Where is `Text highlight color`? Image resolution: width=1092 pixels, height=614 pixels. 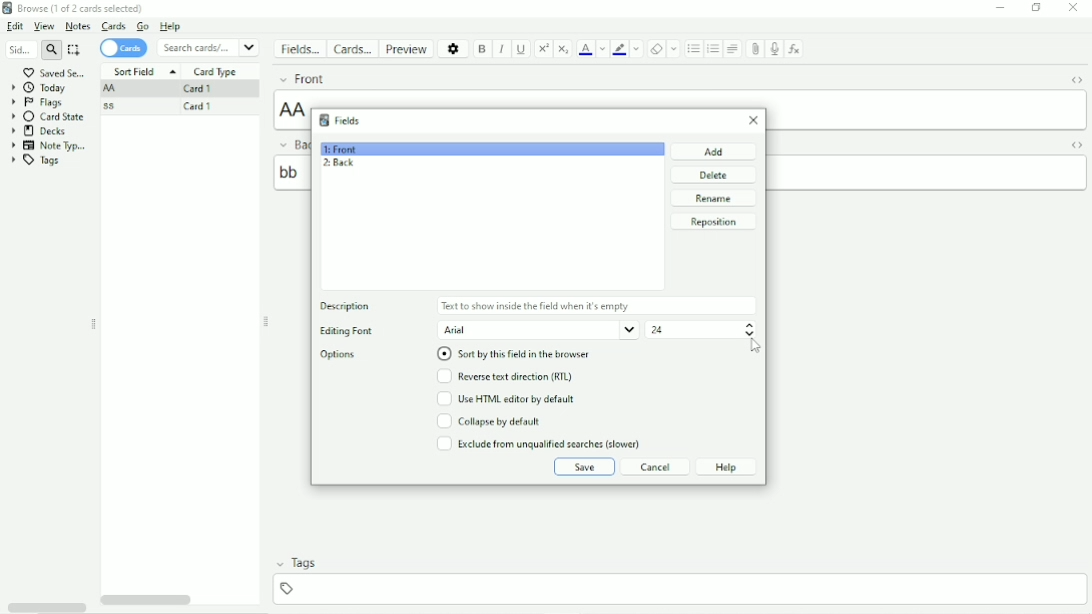 Text highlight color is located at coordinates (619, 49).